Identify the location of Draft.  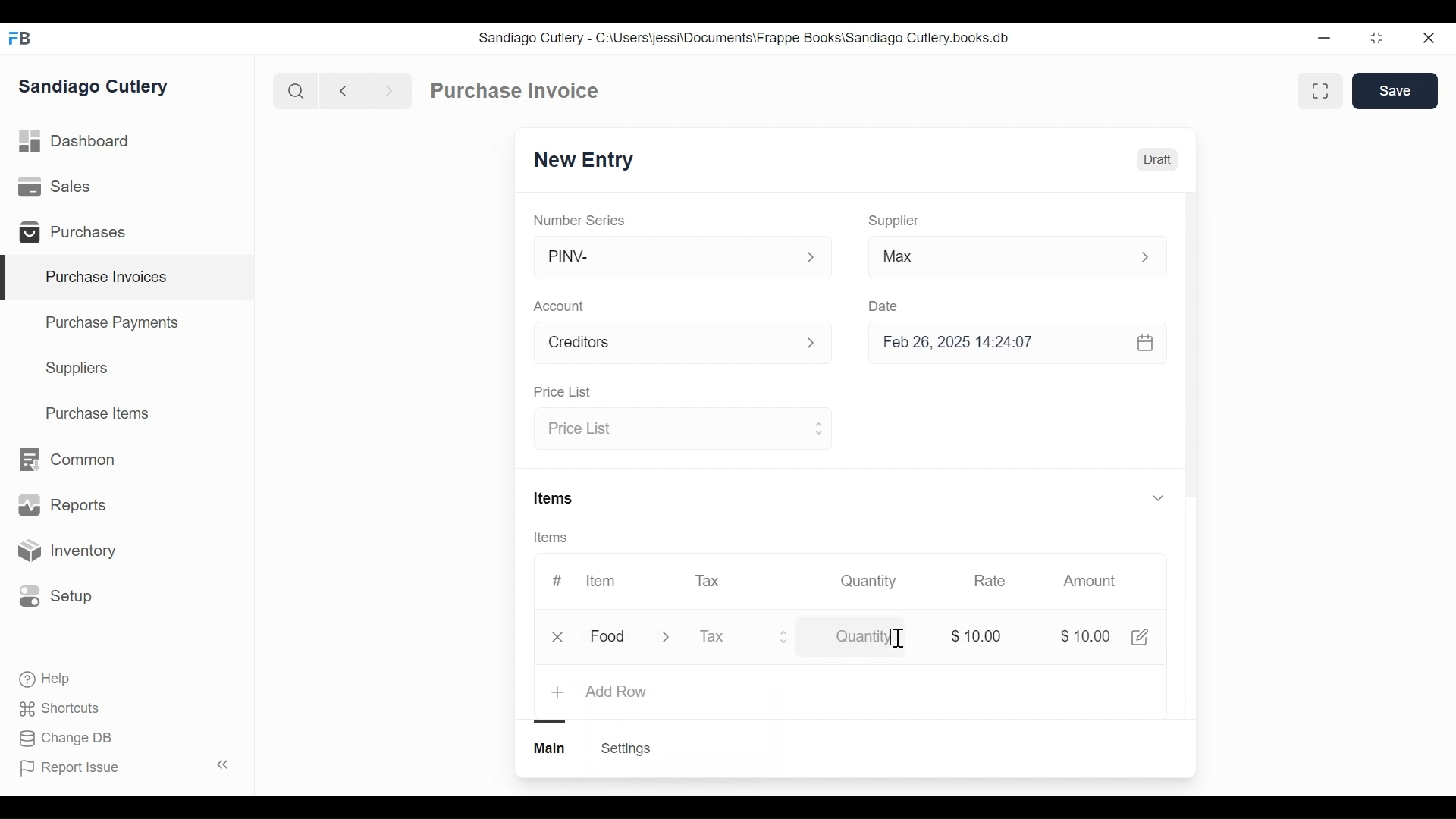
(1158, 162).